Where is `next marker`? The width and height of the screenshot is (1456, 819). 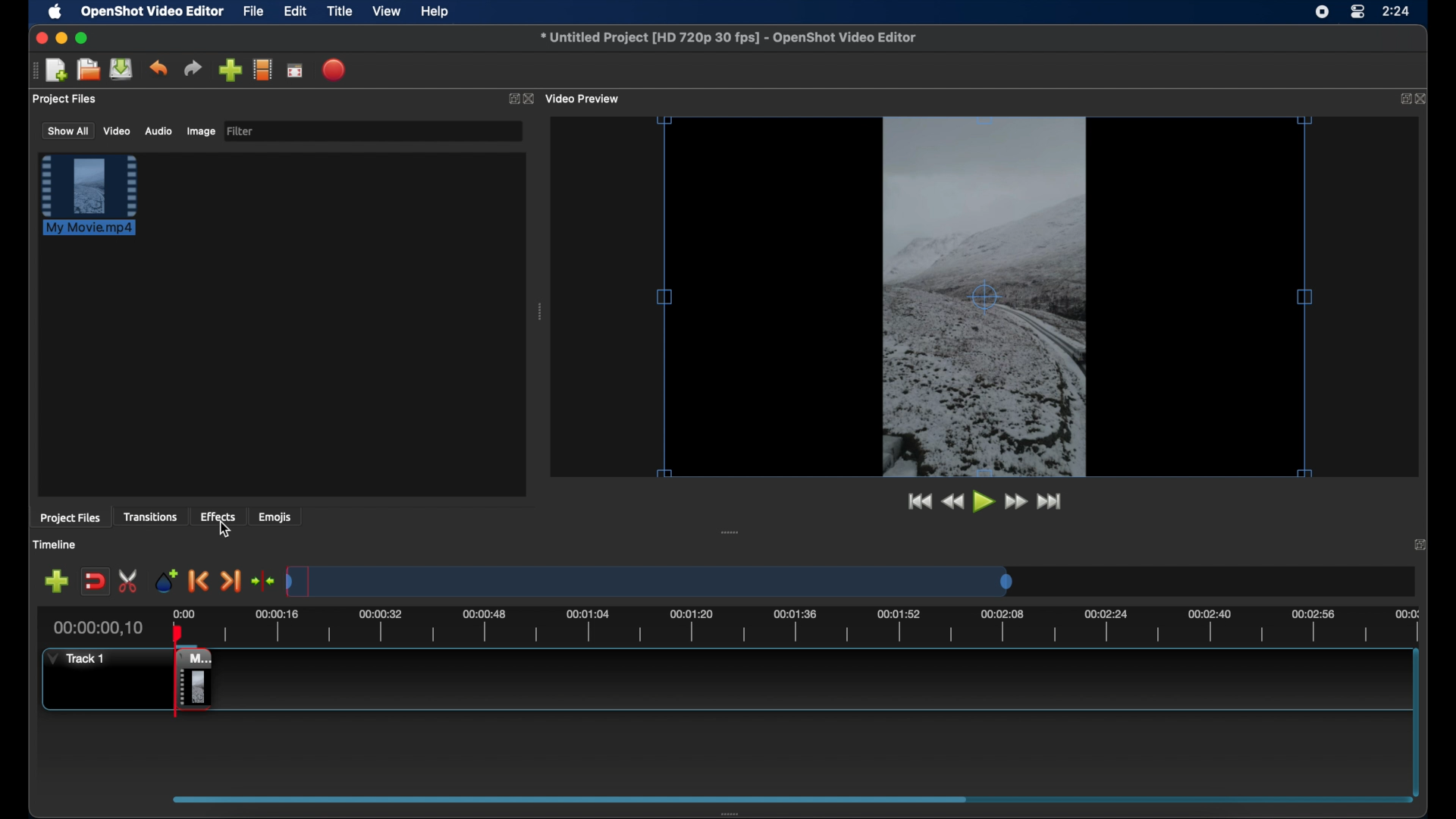 next marker is located at coordinates (231, 581).